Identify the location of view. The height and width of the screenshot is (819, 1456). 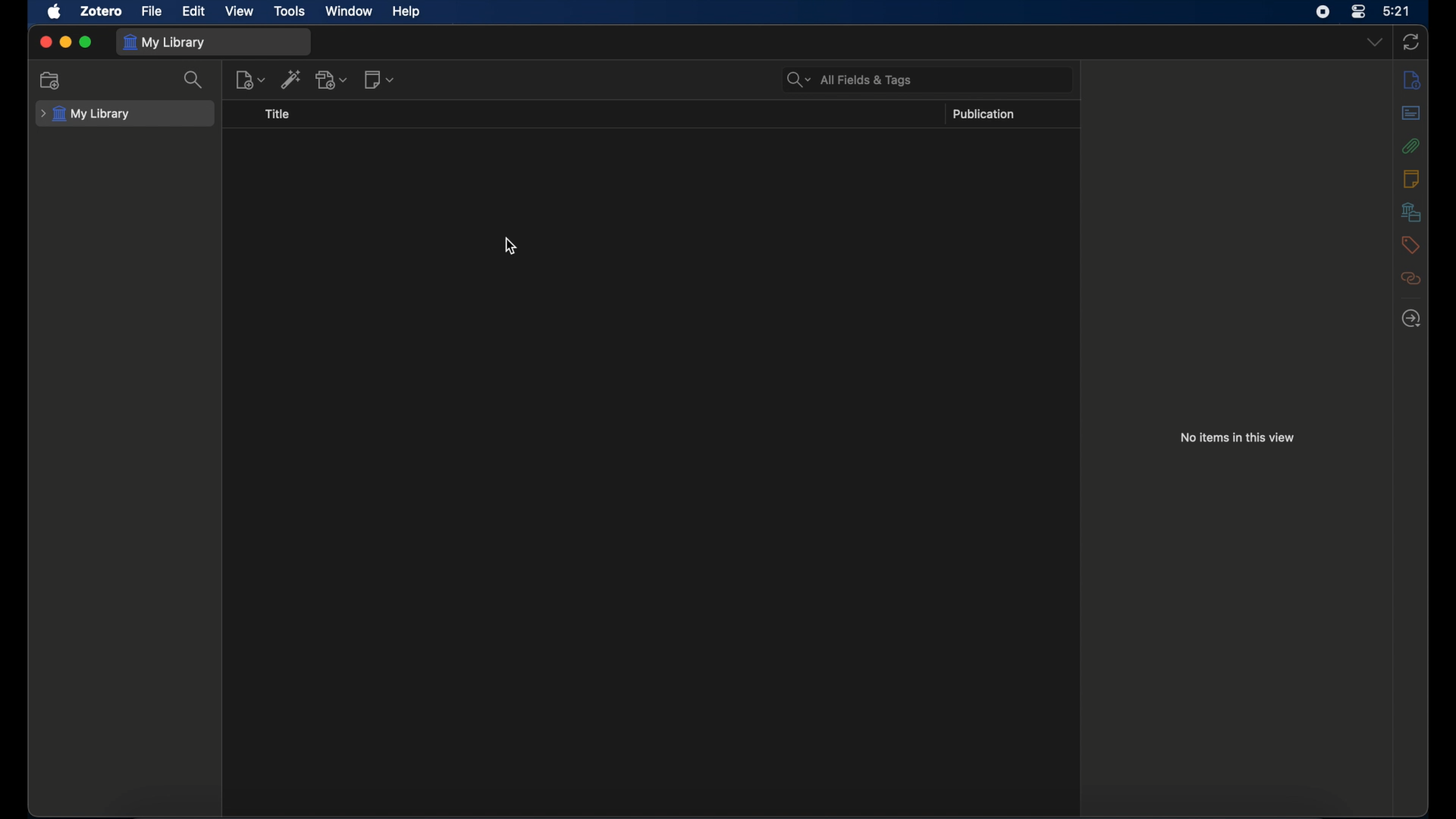
(238, 11).